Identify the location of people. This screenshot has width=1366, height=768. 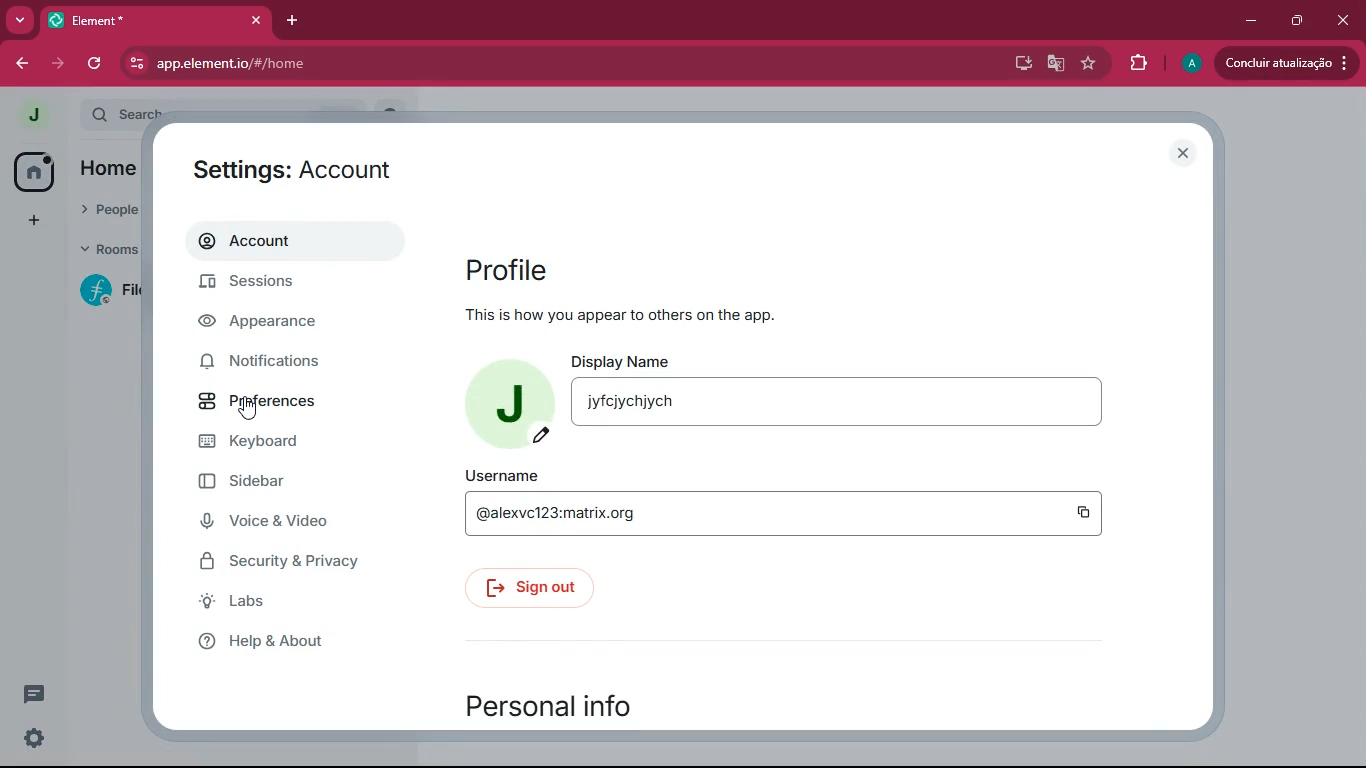
(102, 209).